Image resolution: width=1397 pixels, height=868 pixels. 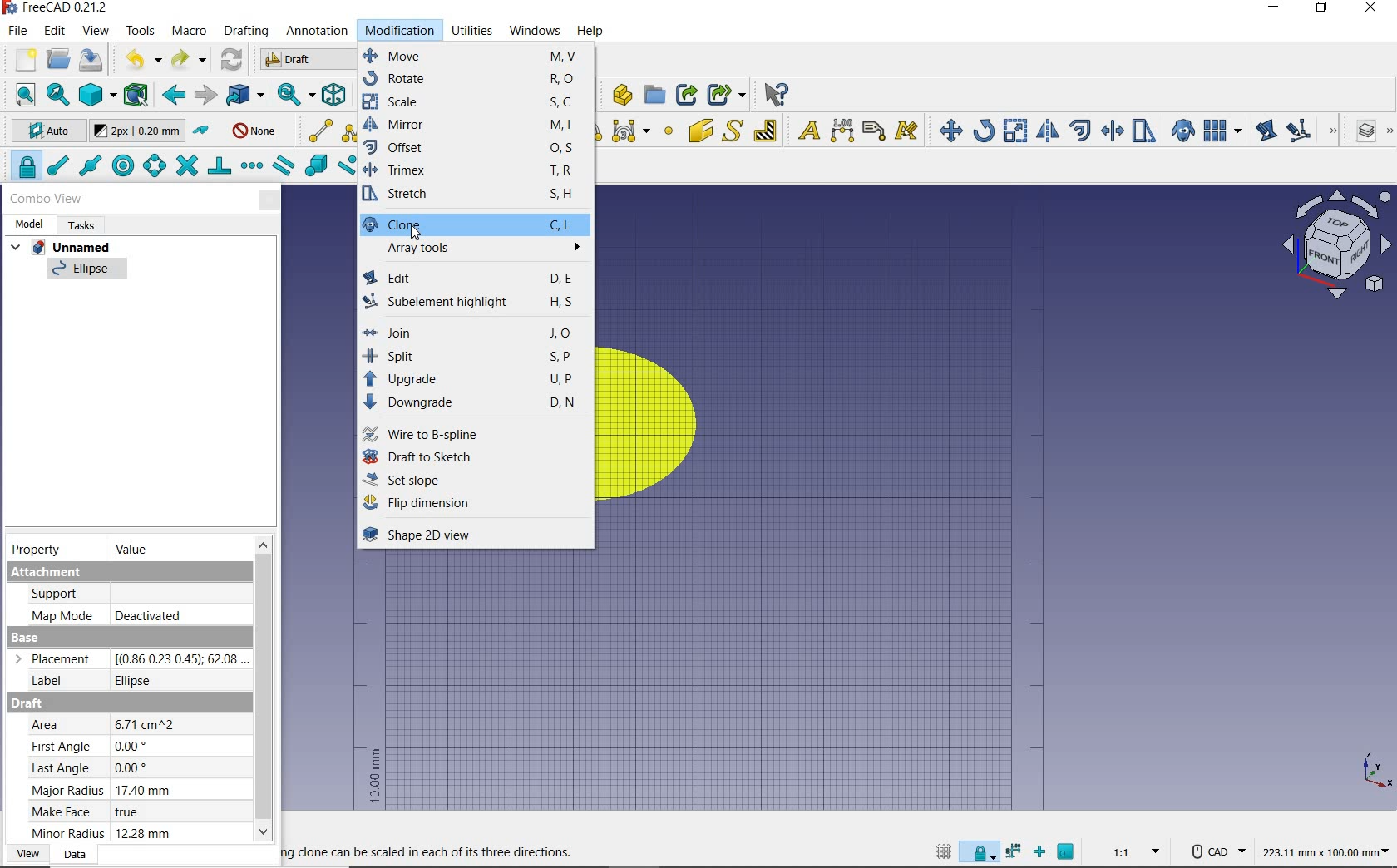 I want to click on View, so click(x=24, y=856).